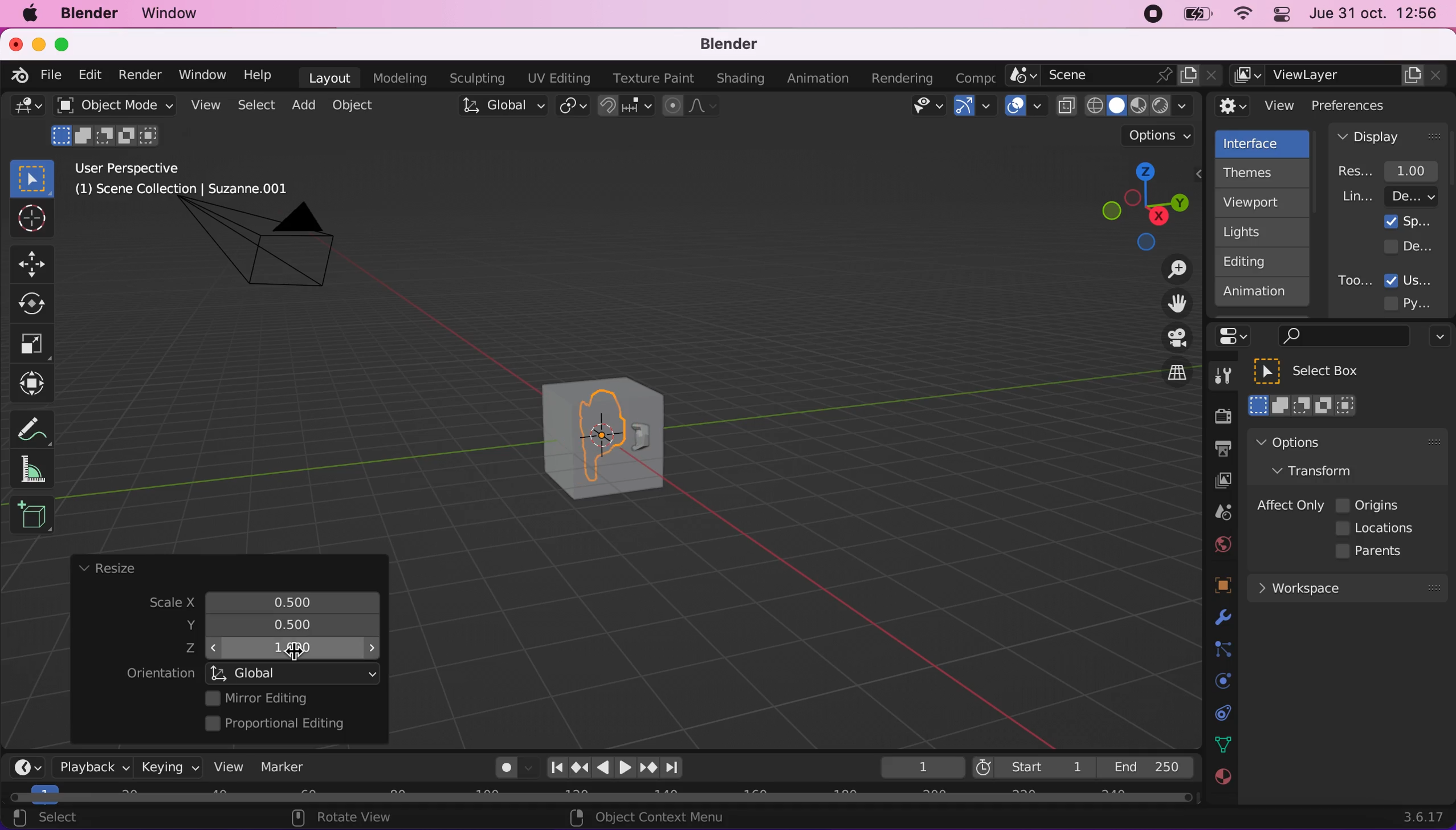  What do you see at coordinates (721, 45) in the screenshot?
I see `blender` at bounding box center [721, 45].